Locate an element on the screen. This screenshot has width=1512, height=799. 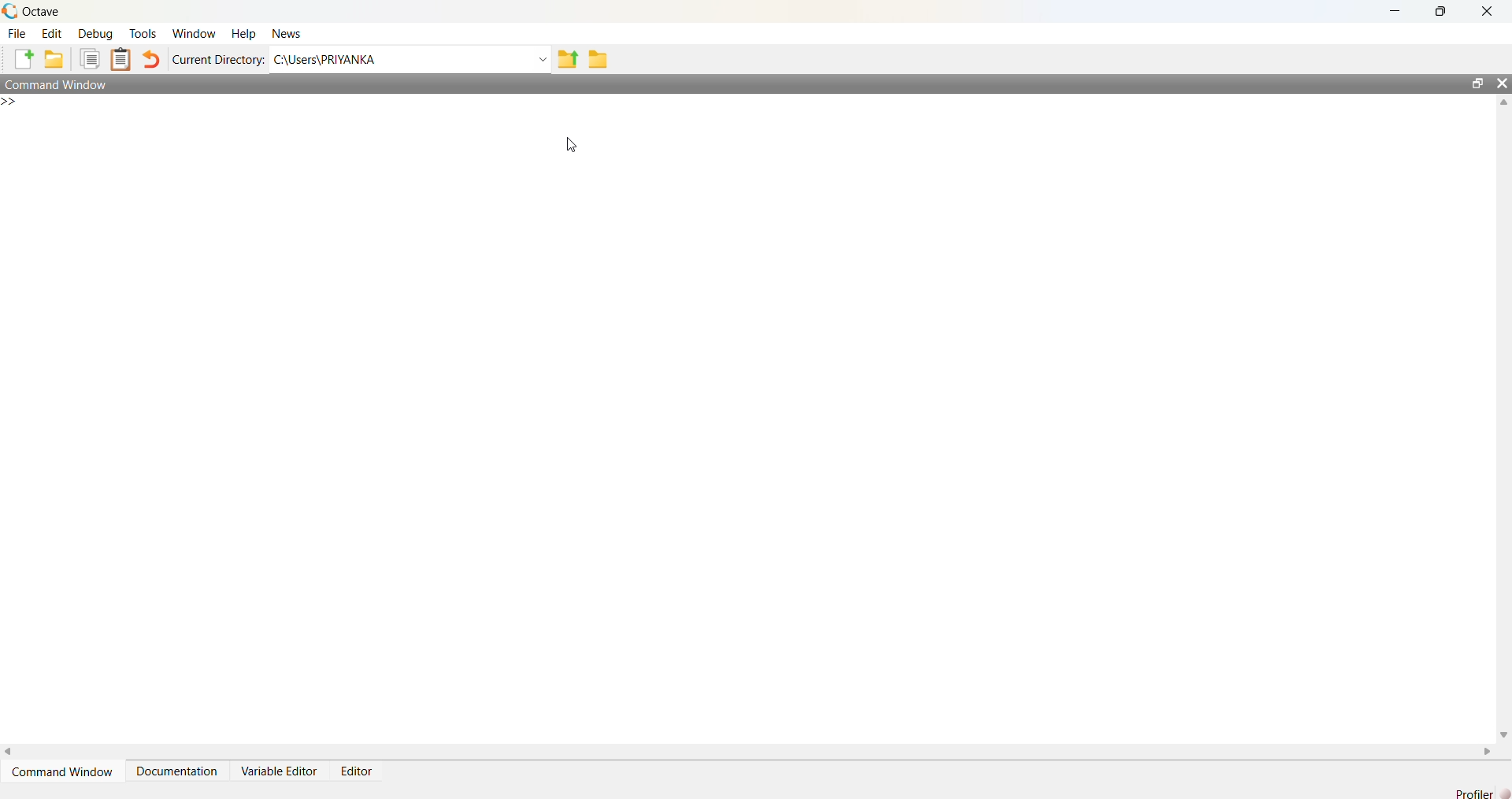
Command Window is located at coordinates (65, 771).